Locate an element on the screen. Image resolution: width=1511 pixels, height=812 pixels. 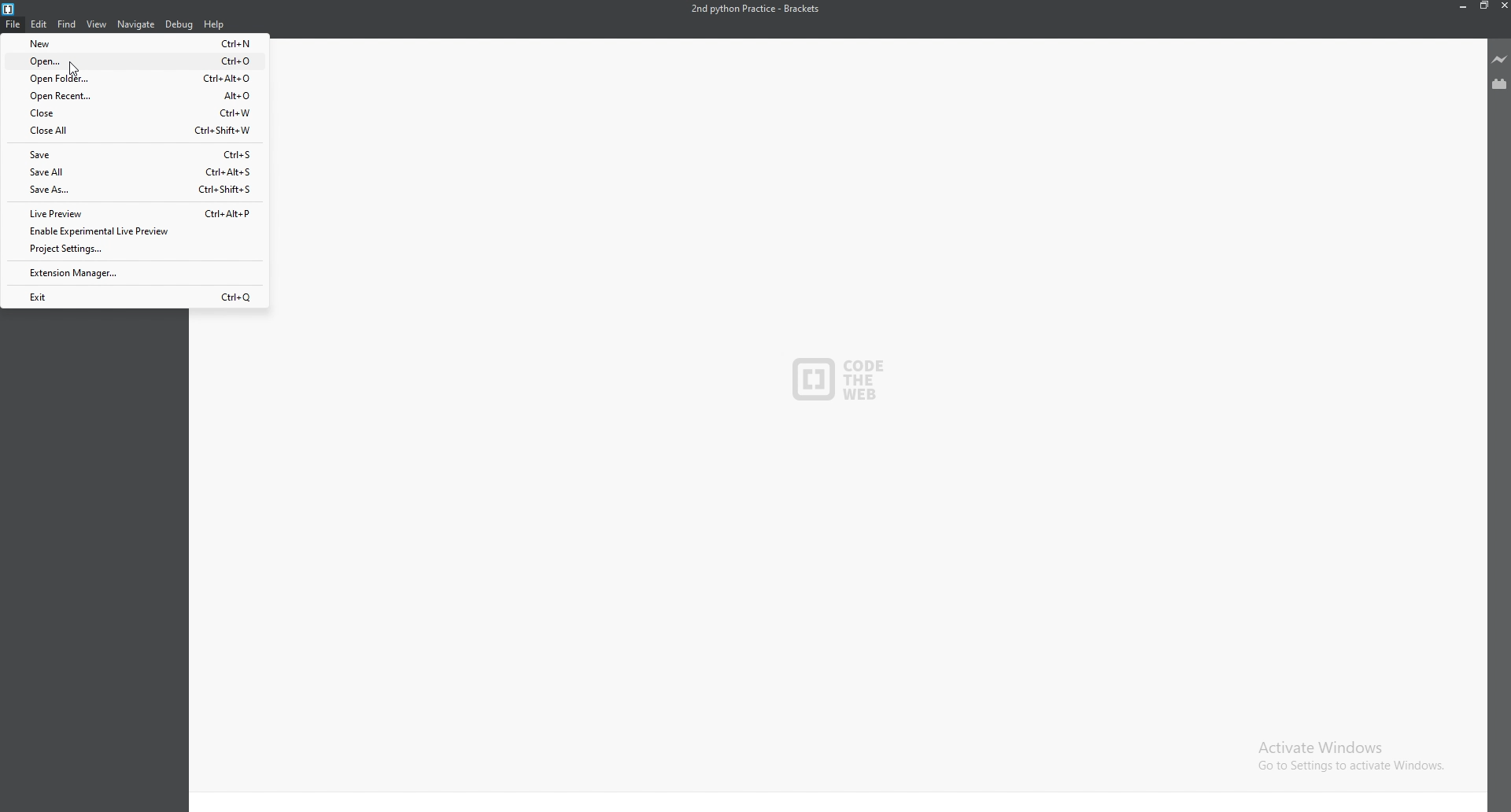
save as is located at coordinates (134, 189).